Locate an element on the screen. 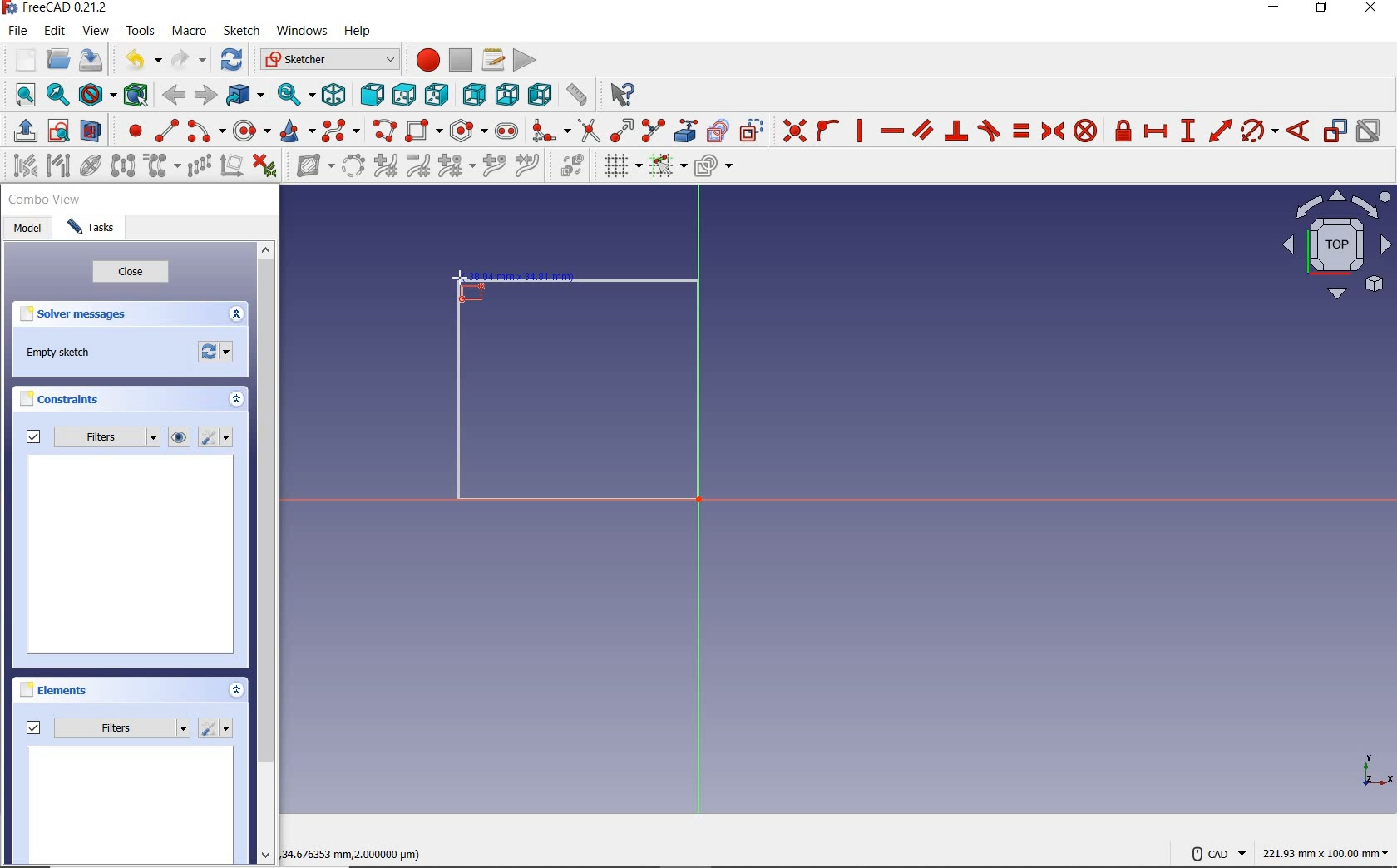 This screenshot has width=1397, height=868. constrain symmetrical is located at coordinates (1052, 131).